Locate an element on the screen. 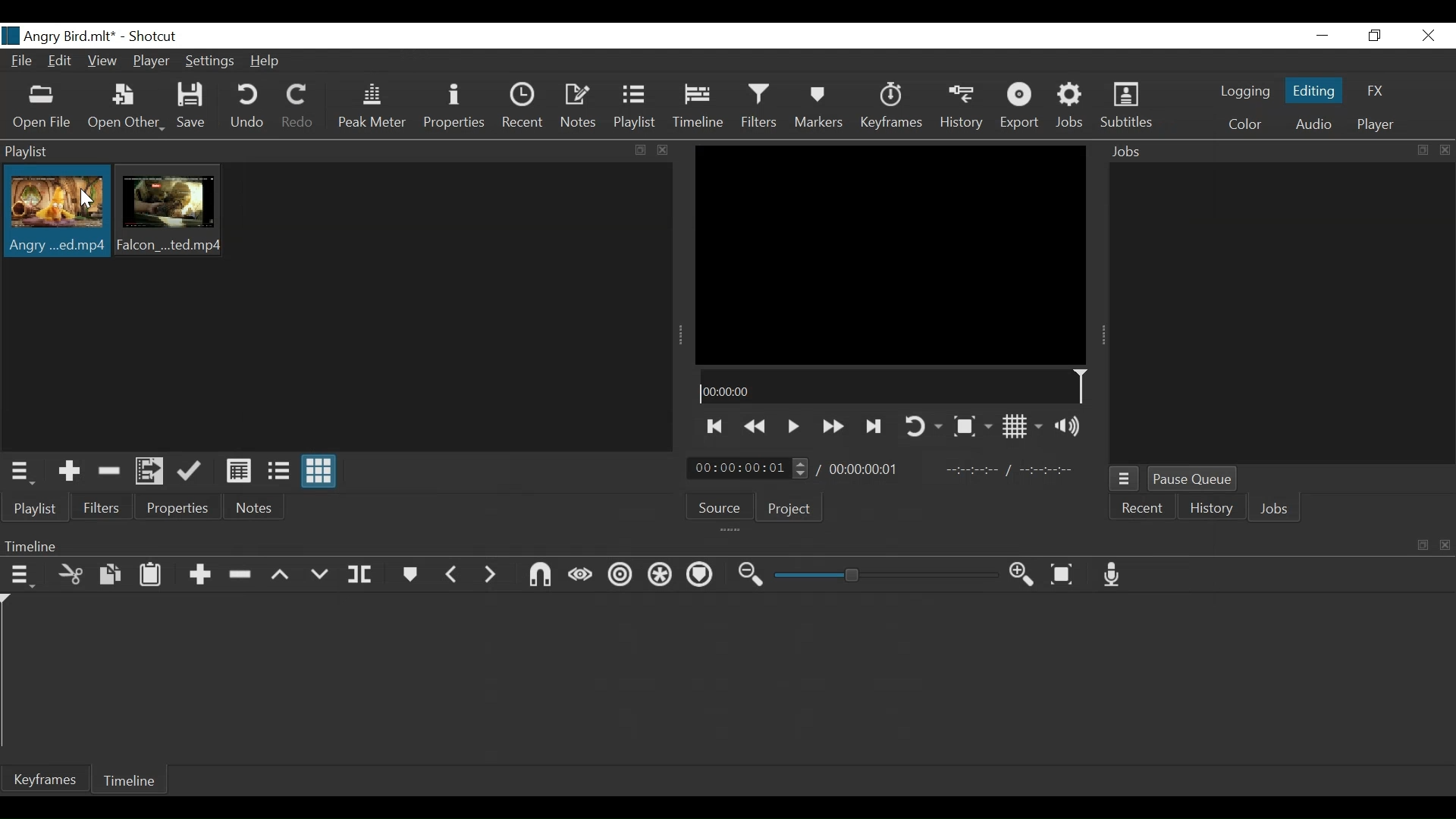 This screenshot has height=819, width=1456. Player is located at coordinates (152, 61).